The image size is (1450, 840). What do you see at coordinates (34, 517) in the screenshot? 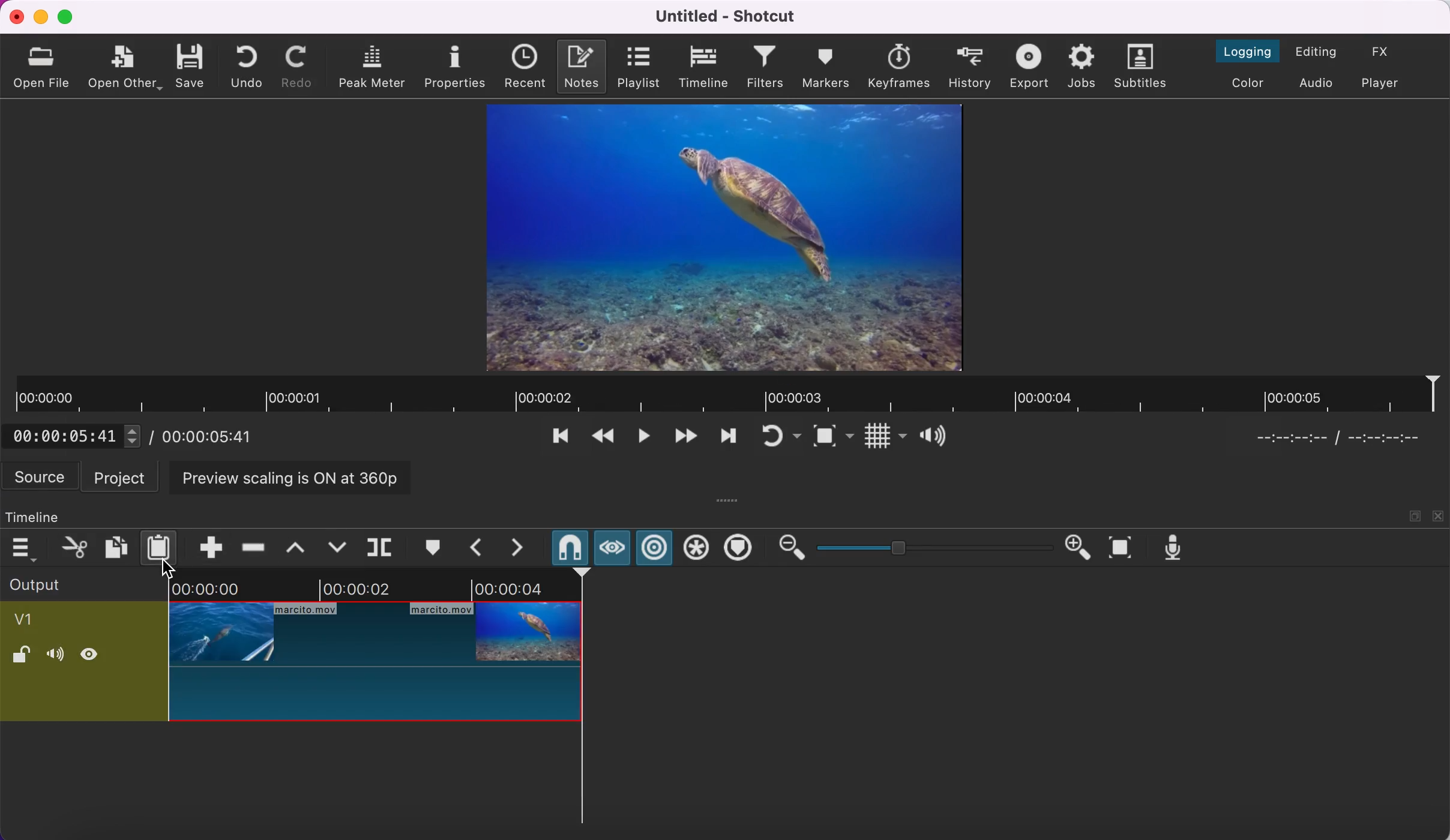
I see `timeline panel` at bounding box center [34, 517].